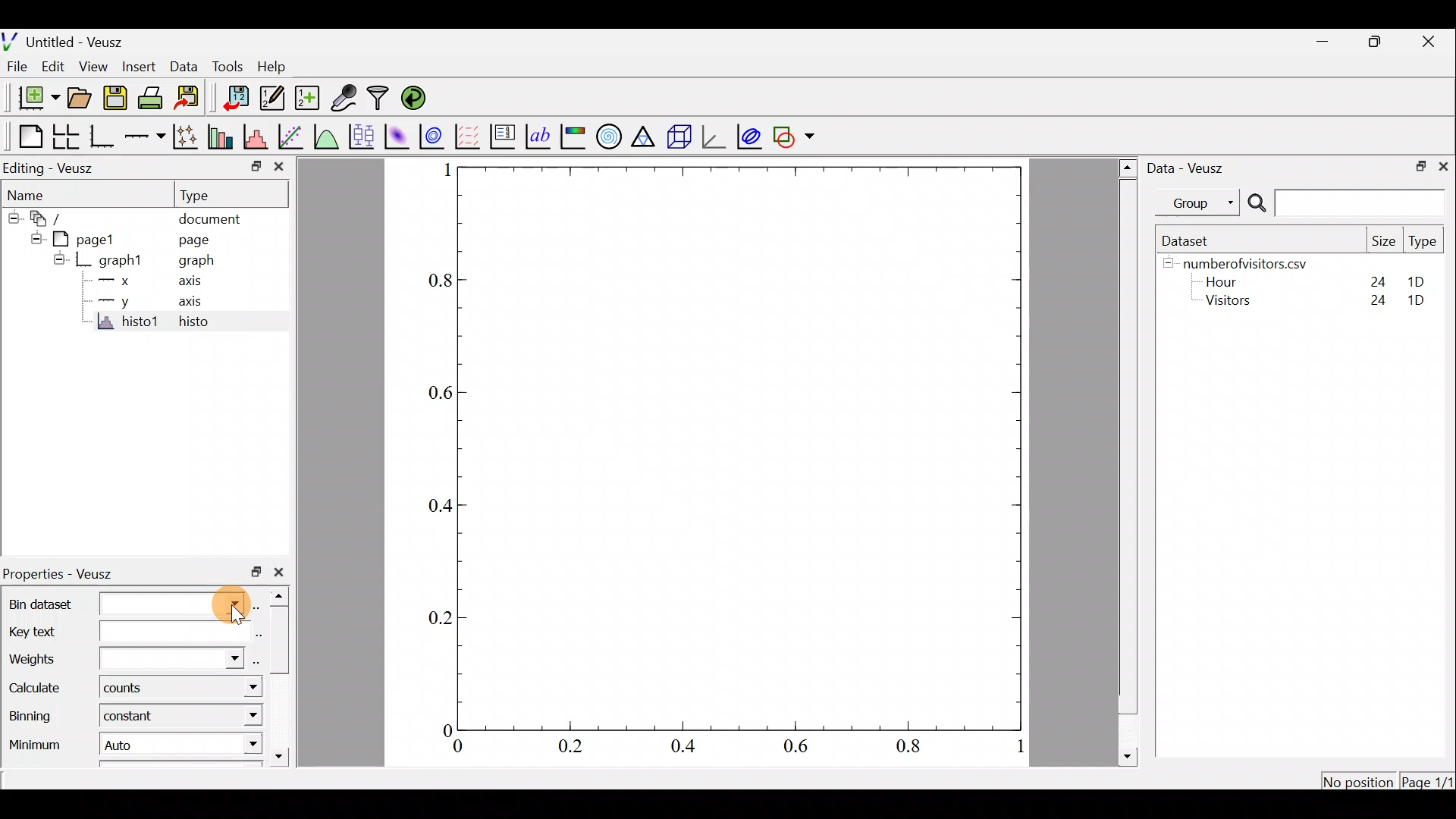 The image size is (1456, 819). What do you see at coordinates (115, 99) in the screenshot?
I see `save the document` at bounding box center [115, 99].